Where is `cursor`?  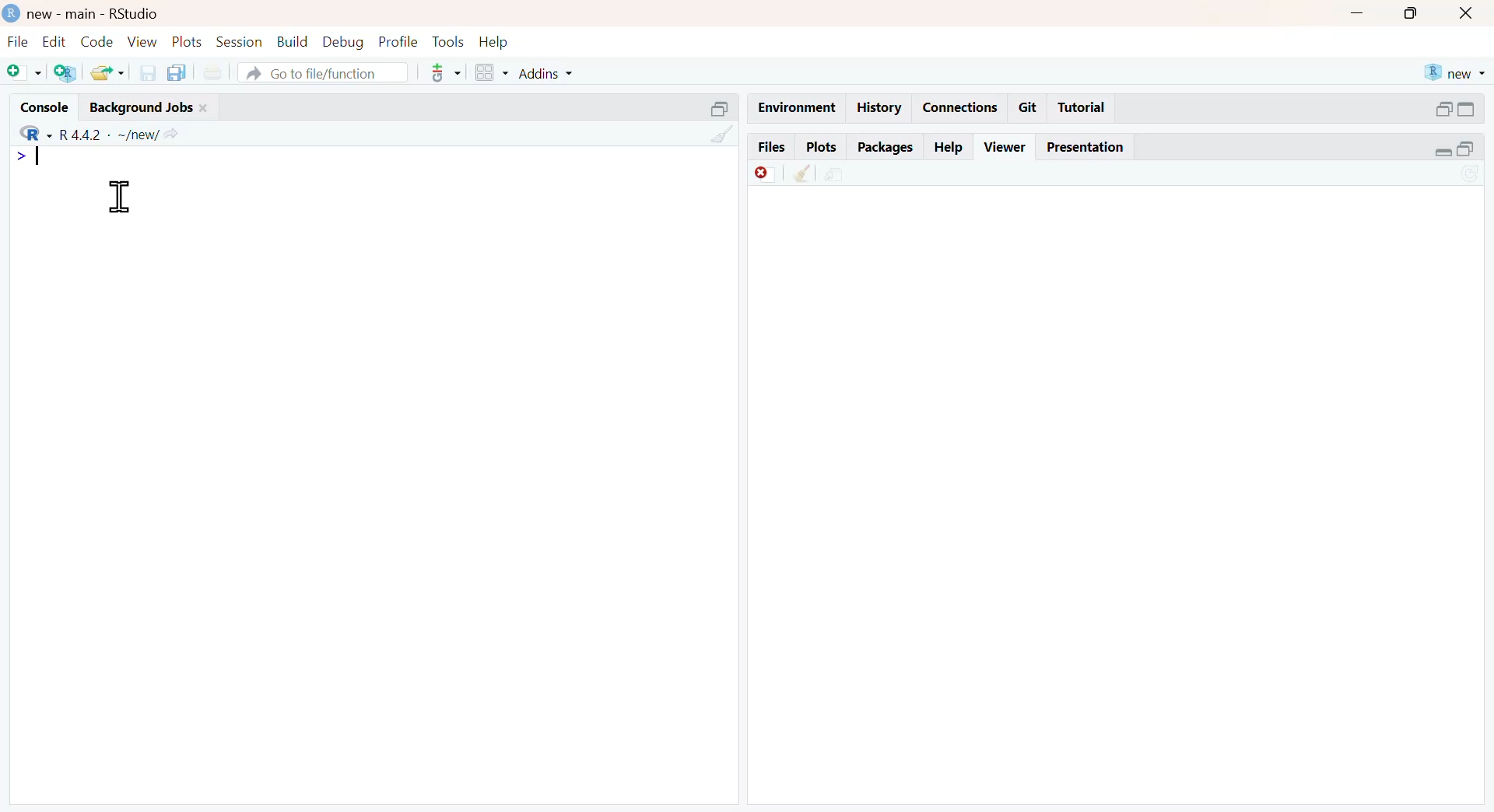 cursor is located at coordinates (121, 197).